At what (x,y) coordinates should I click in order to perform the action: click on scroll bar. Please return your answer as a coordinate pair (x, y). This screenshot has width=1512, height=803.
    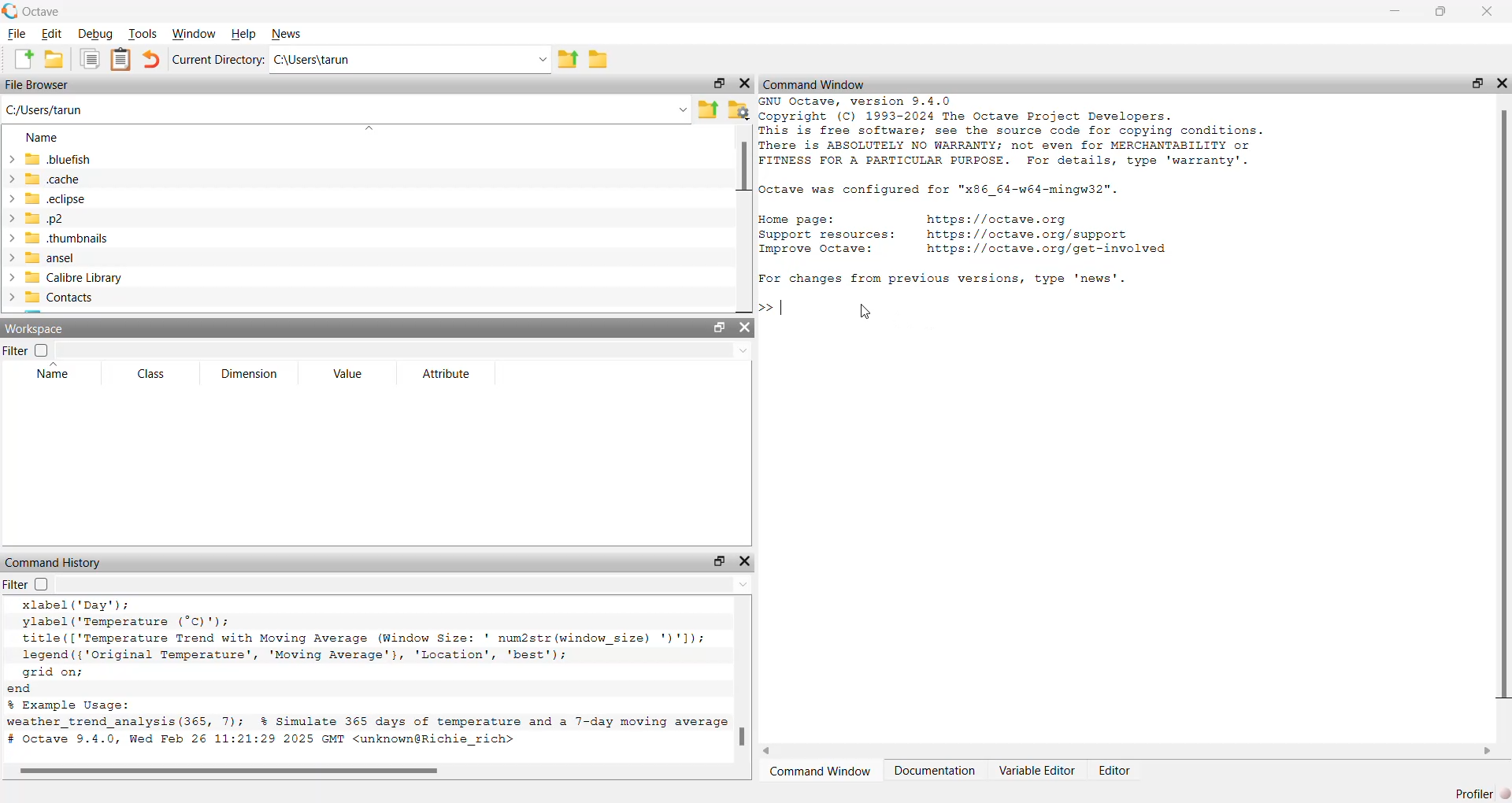
    Looking at the image, I should click on (750, 676).